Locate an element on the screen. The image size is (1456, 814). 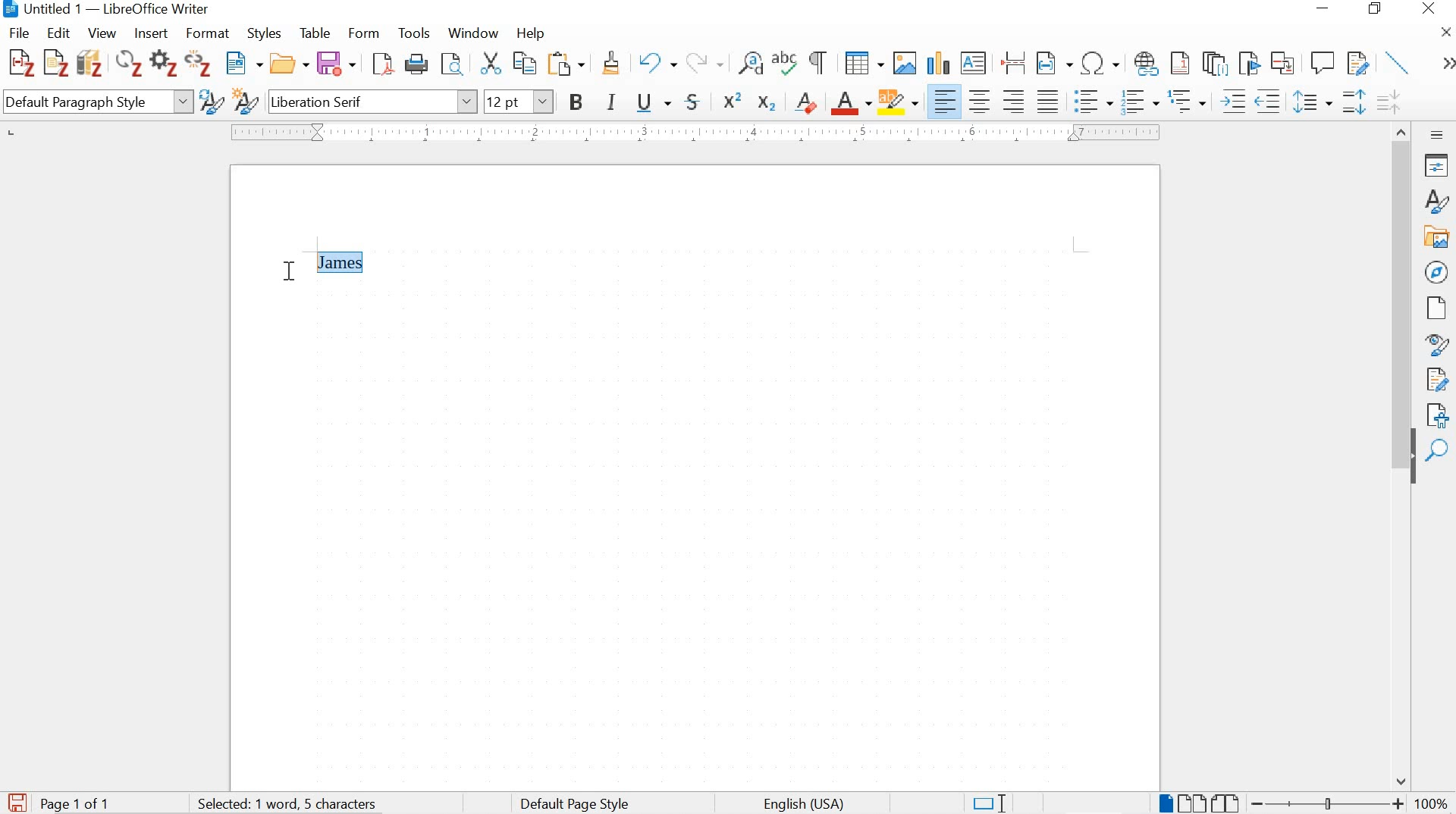
font size is located at coordinates (519, 101).